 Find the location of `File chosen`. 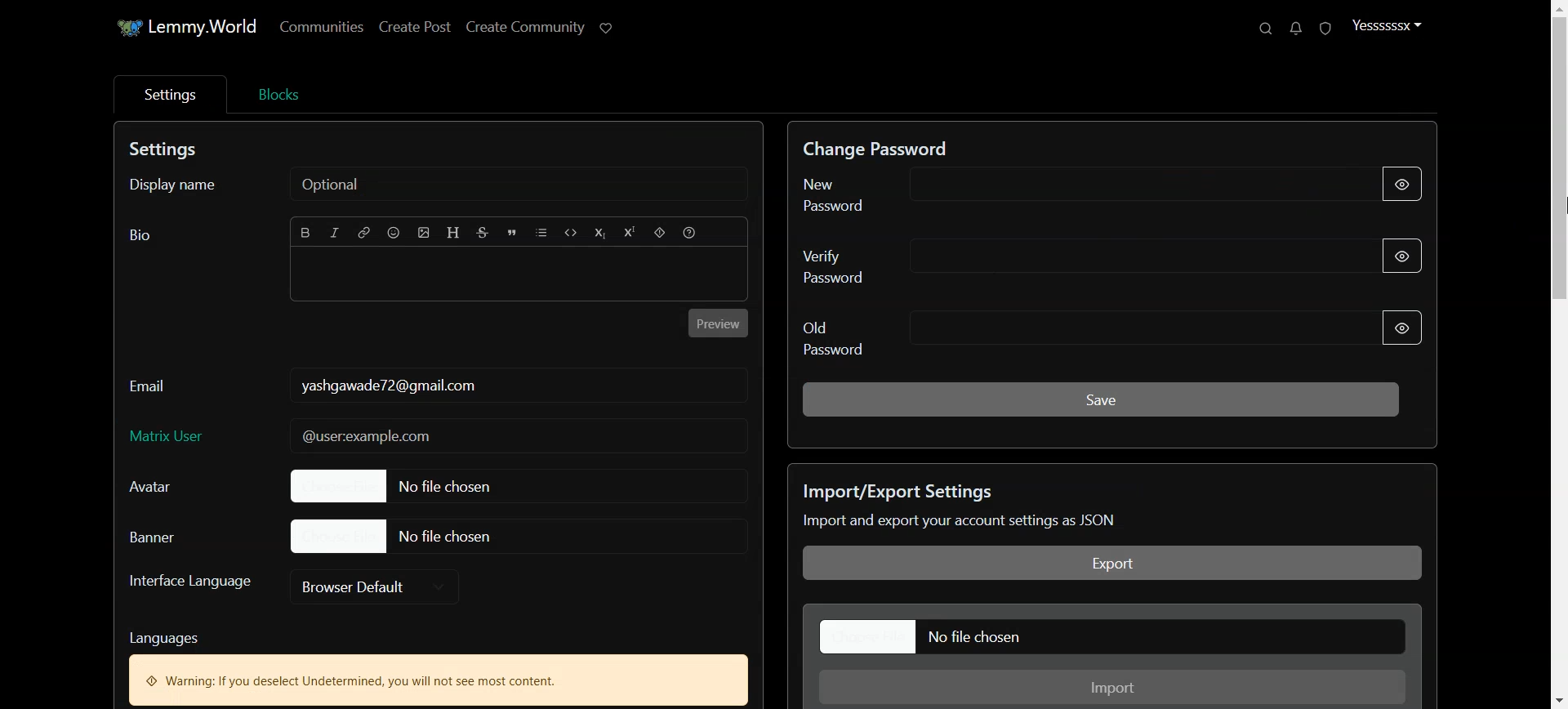

File chosen is located at coordinates (521, 487).